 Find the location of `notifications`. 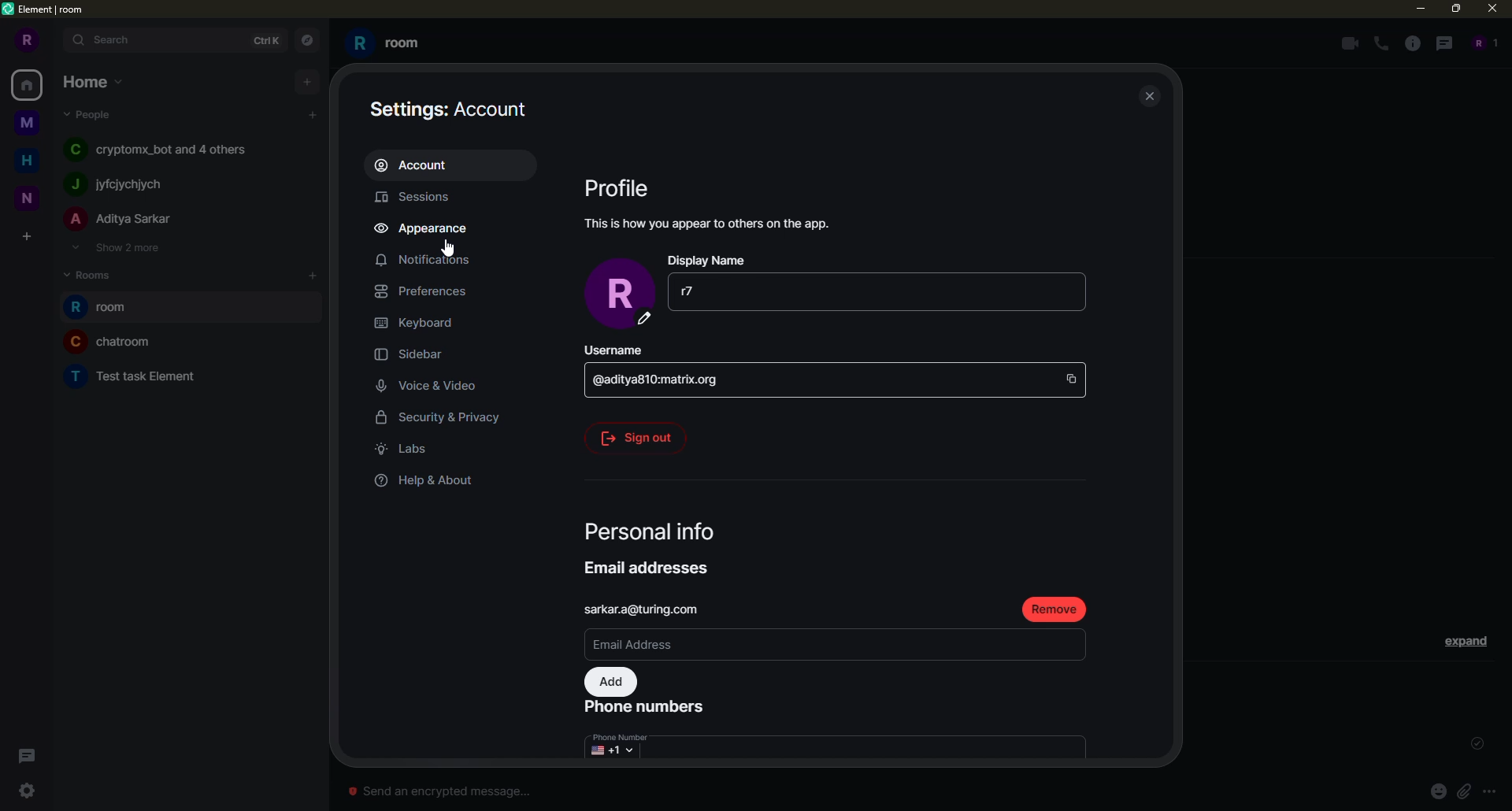

notifications is located at coordinates (422, 259).